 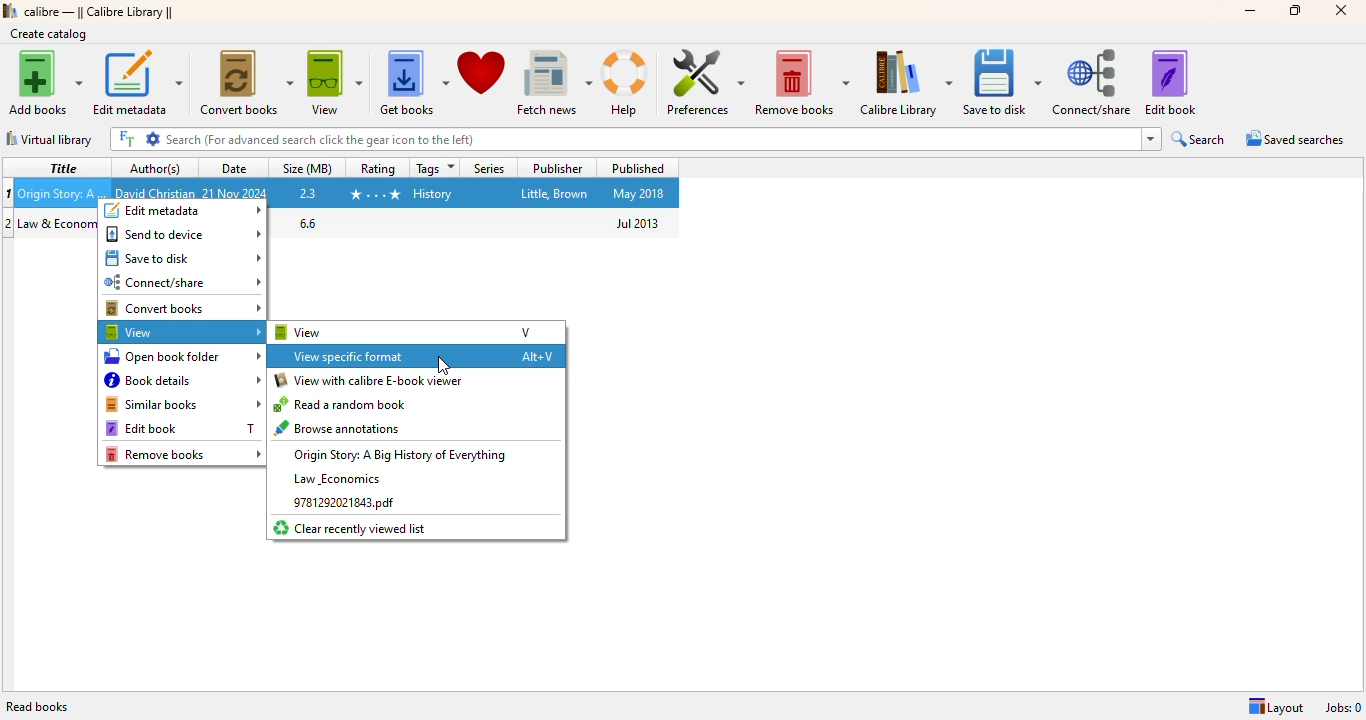 I want to click on calibre library, so click(x=100, y=12).